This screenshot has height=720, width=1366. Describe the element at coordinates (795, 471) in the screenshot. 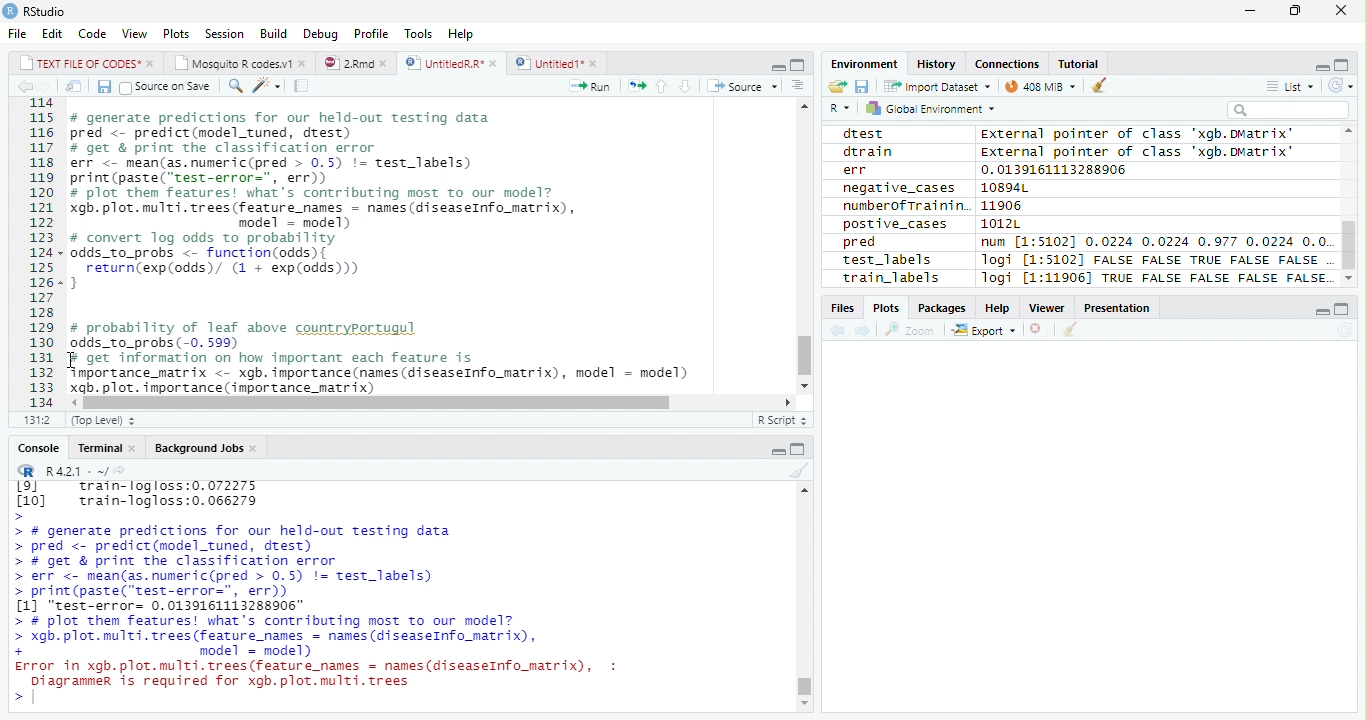

I see `Clean` at that location.